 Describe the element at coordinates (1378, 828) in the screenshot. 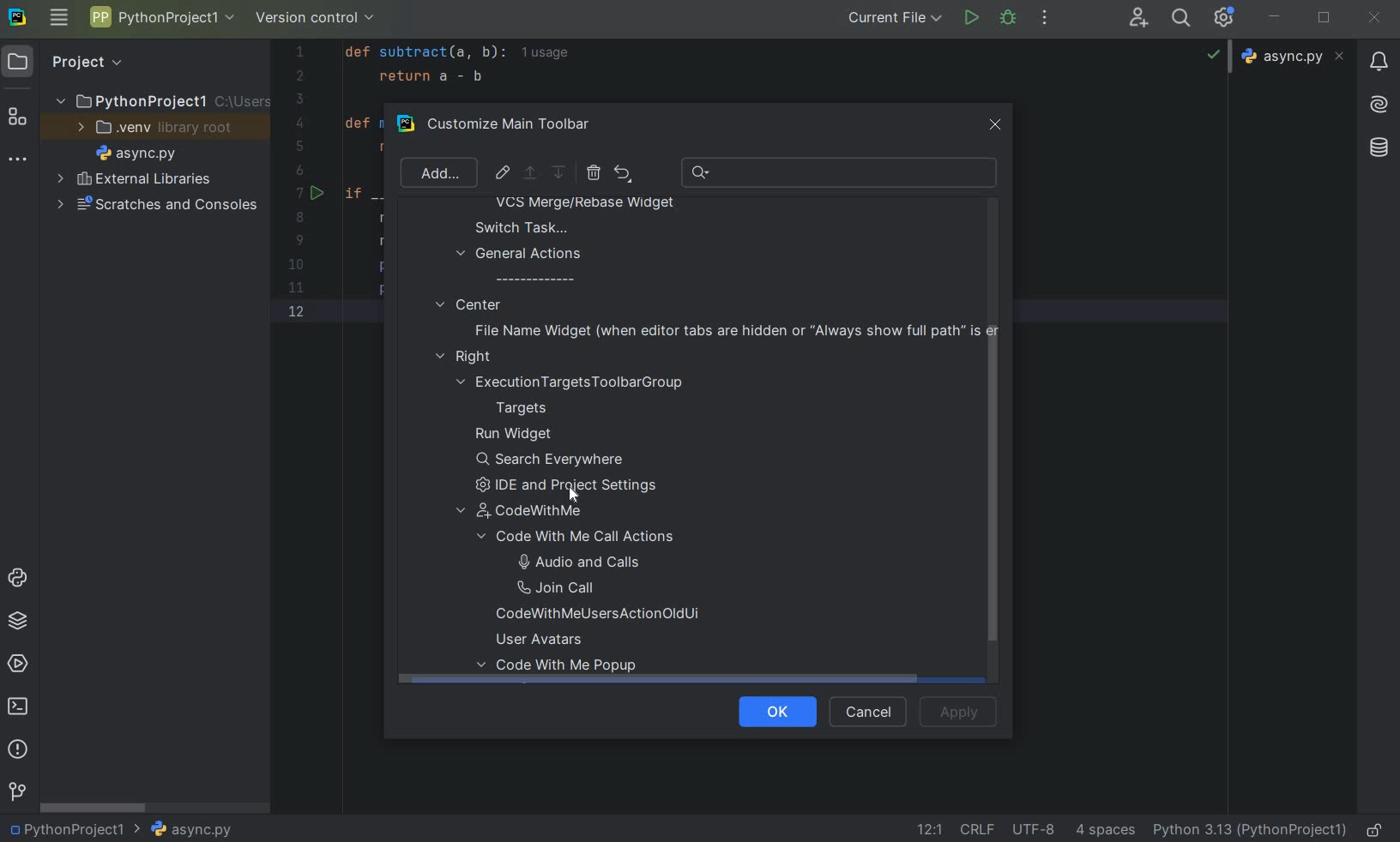

I see `MAKE FILE READY ONLY` at that location.